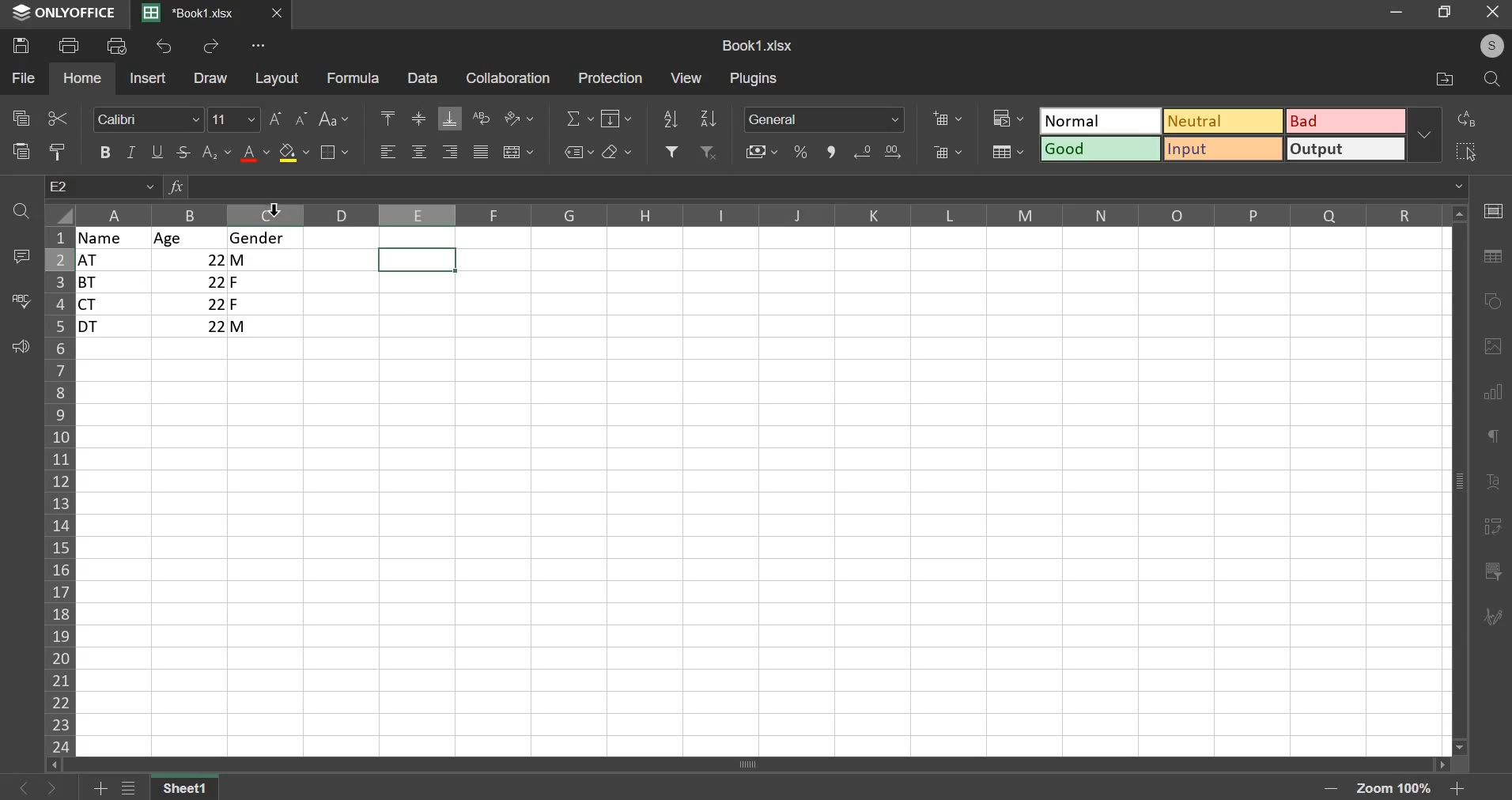  I want to click on insert cells, so click(947, 119).